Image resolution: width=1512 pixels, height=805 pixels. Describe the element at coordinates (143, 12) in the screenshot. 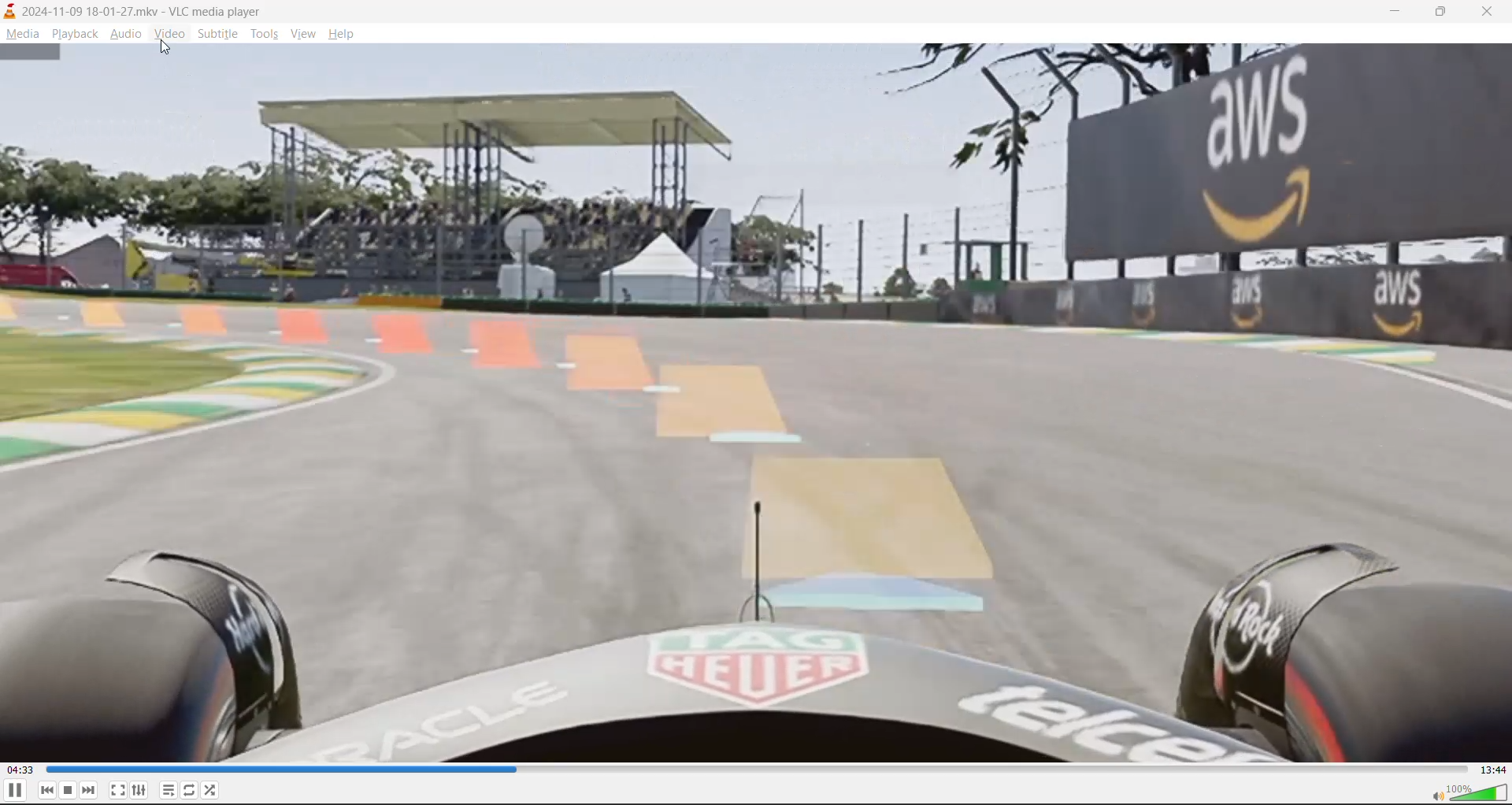

I see `track name and app name` at that location.